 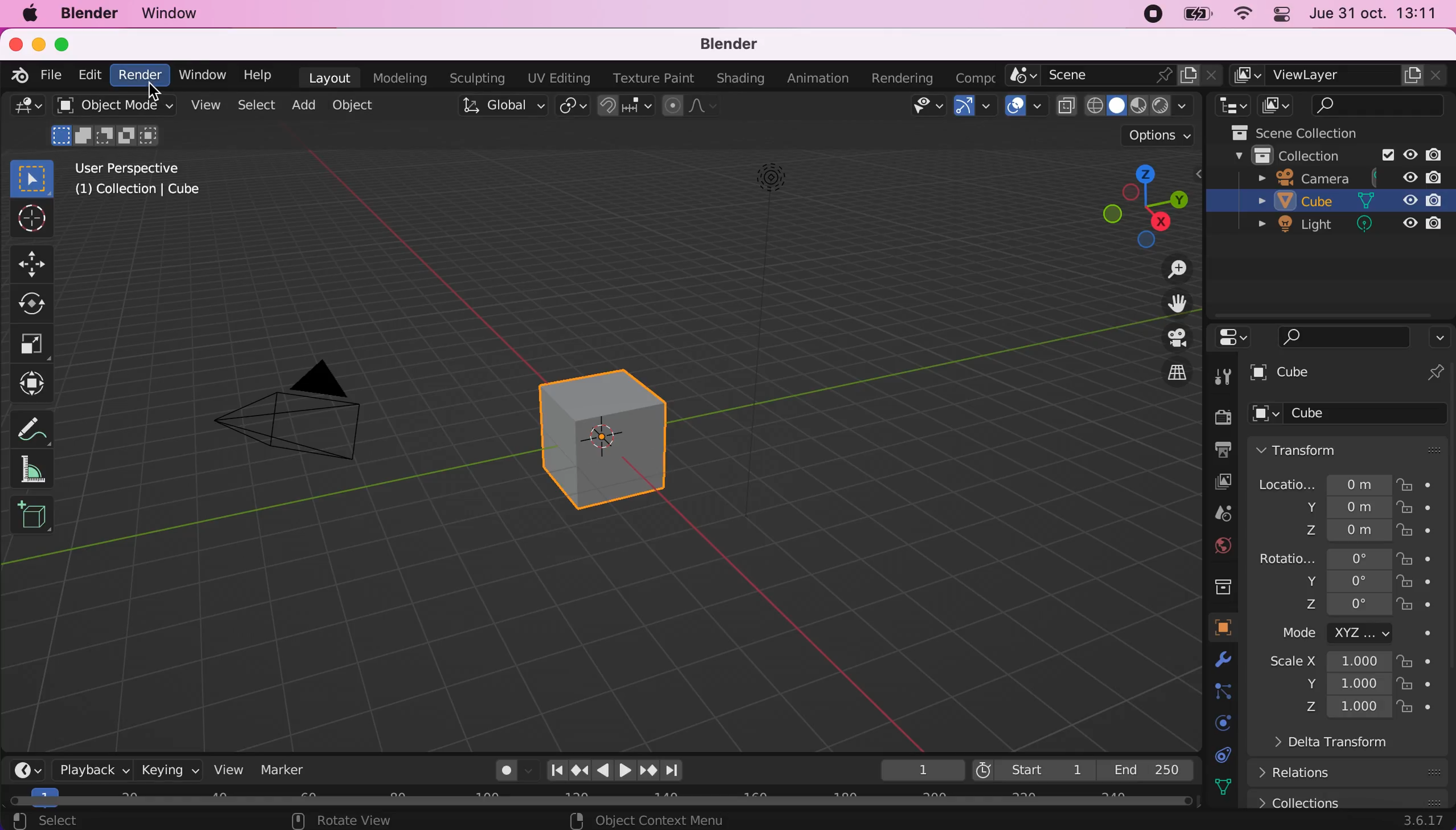 I want to click on auto keying, so click(x=505, y=773).